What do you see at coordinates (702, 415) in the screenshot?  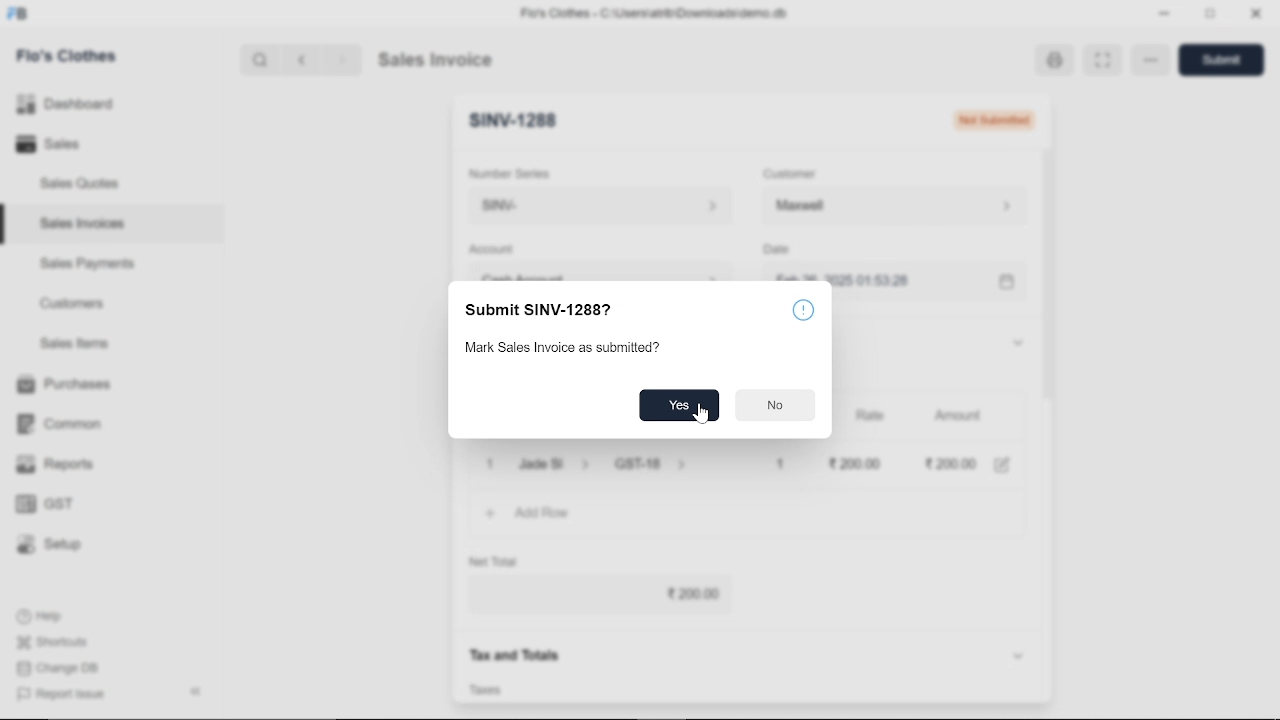 I see `cursor` at bounding box center [702, 415].